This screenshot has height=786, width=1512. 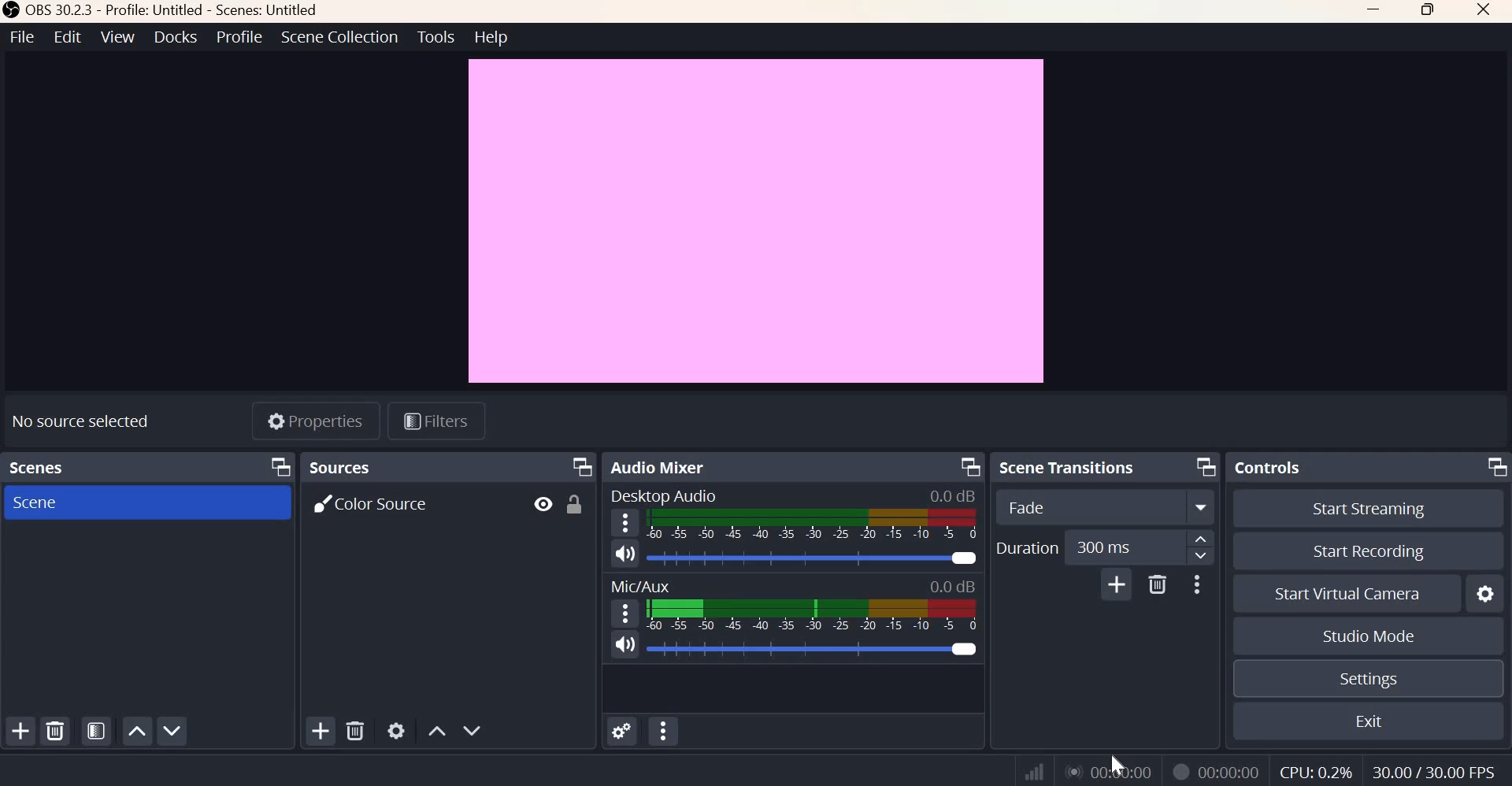 I want to click on Scene transitions, so click(x=1071, y=467).